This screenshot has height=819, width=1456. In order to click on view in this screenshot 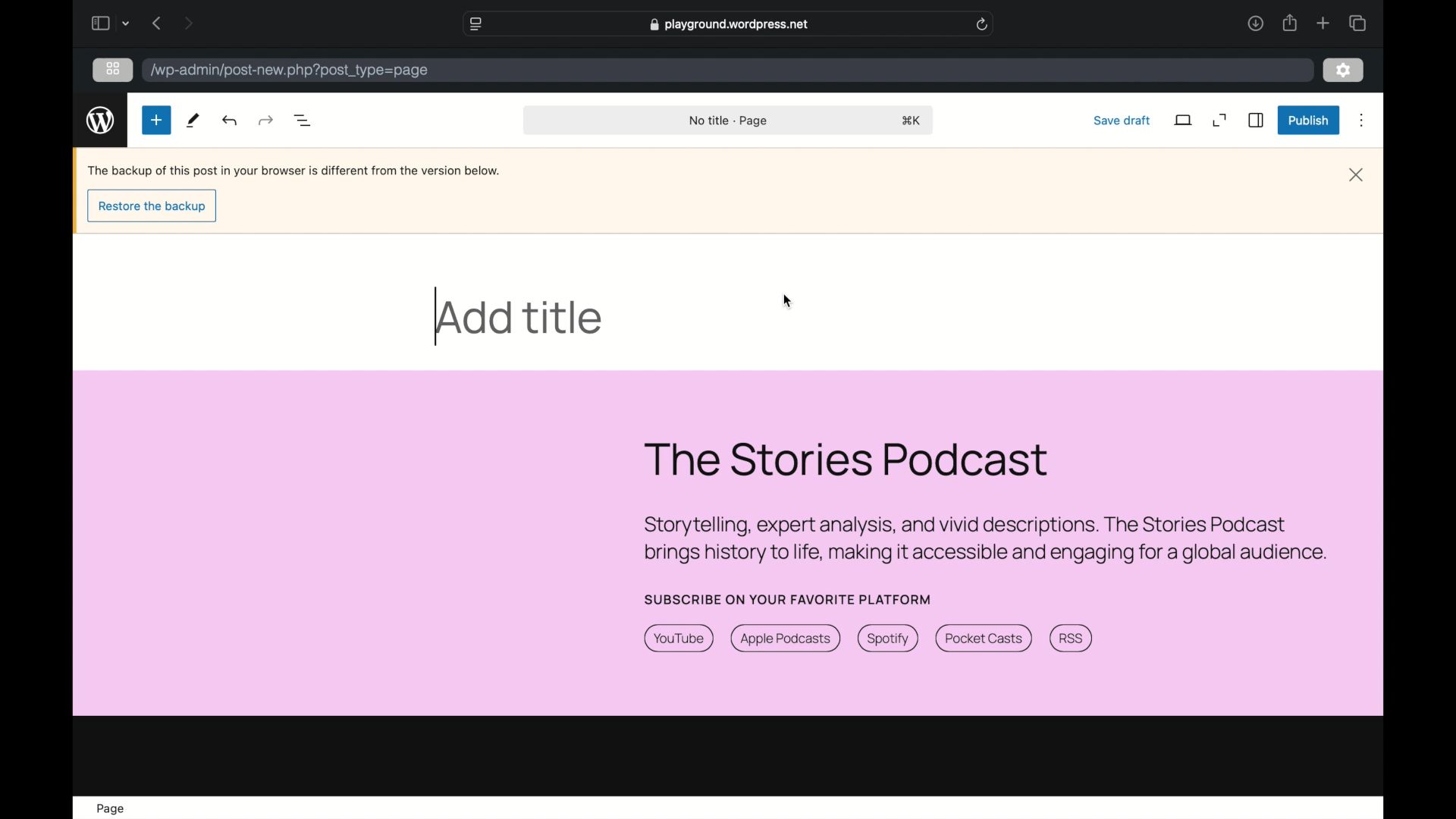, I will do `click(1185, 120)`.